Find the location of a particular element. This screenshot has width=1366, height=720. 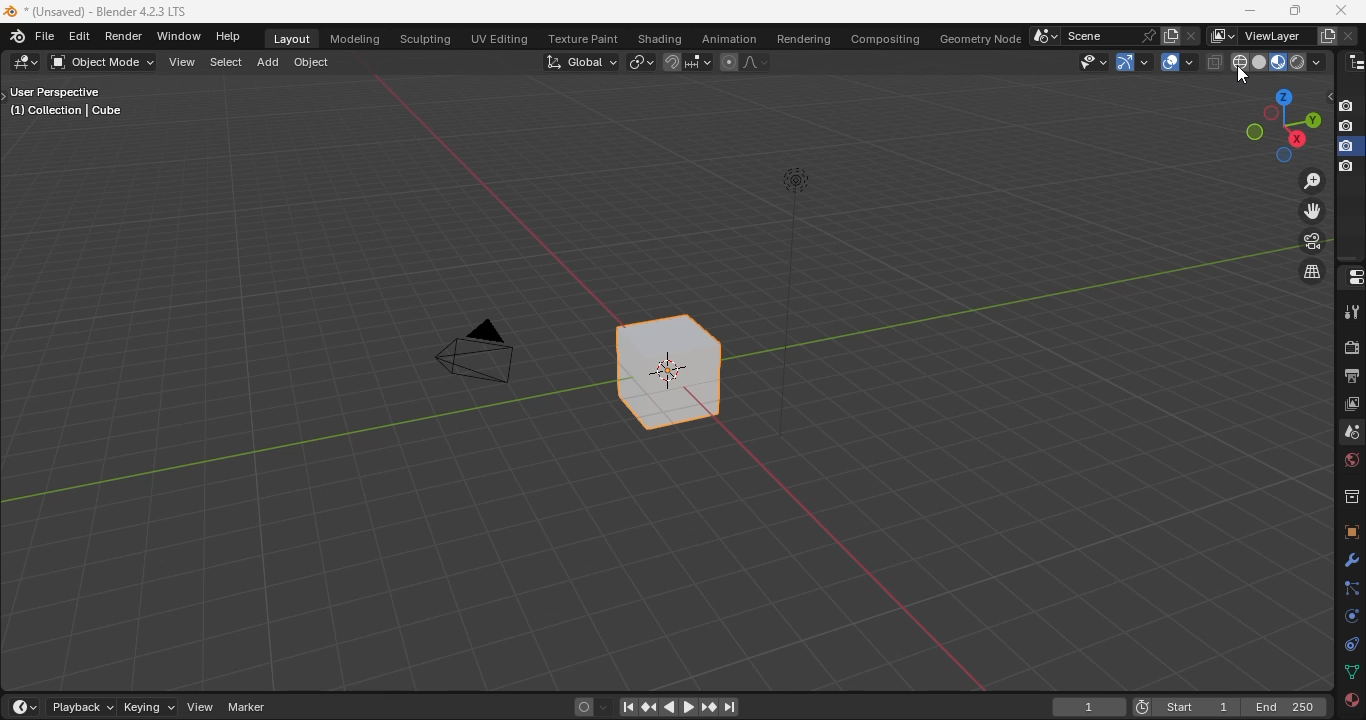

sculpting is located at coordinates (426, 39).